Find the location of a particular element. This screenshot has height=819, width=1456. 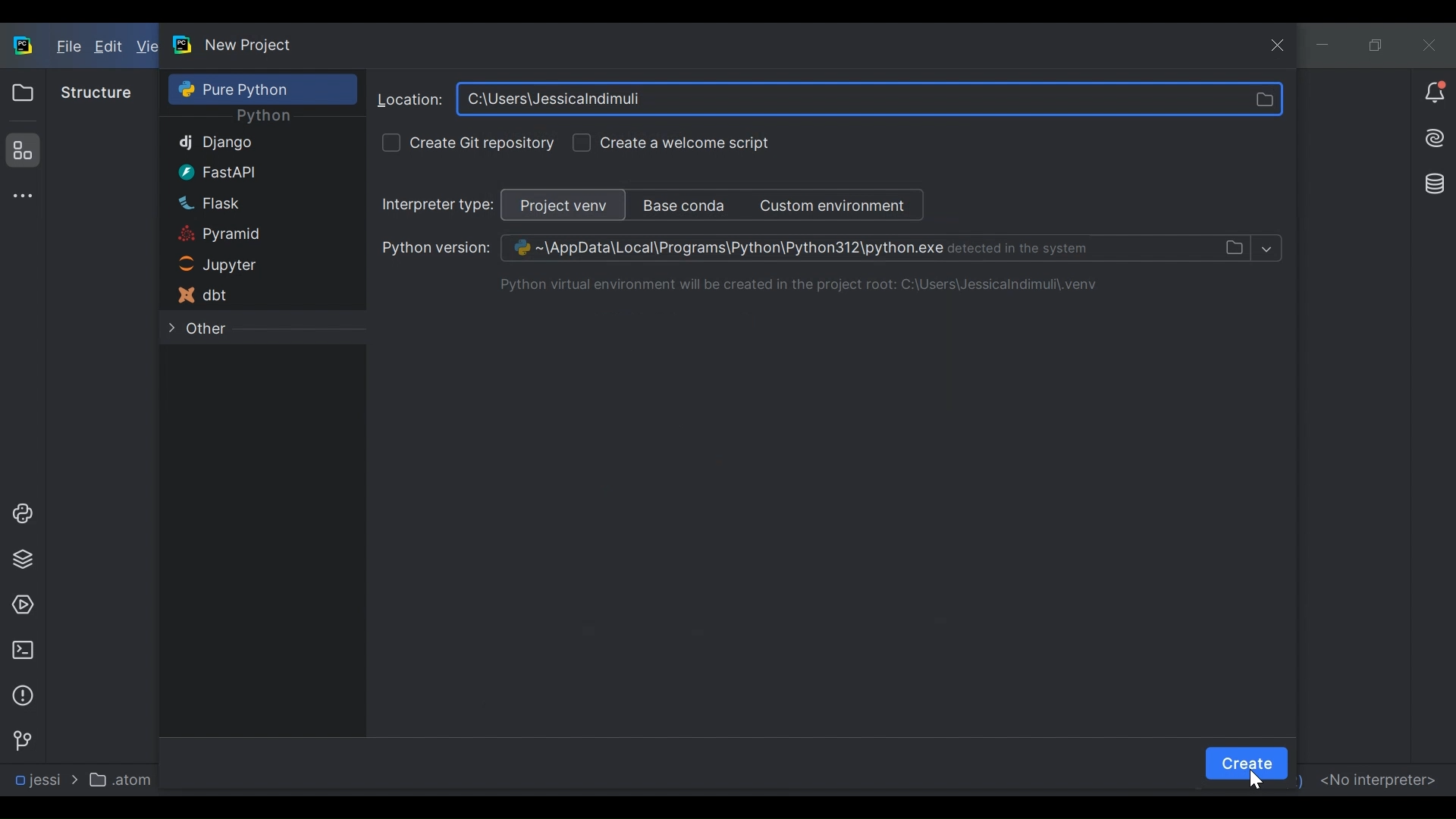

check box is located at coordinates (391, 143).